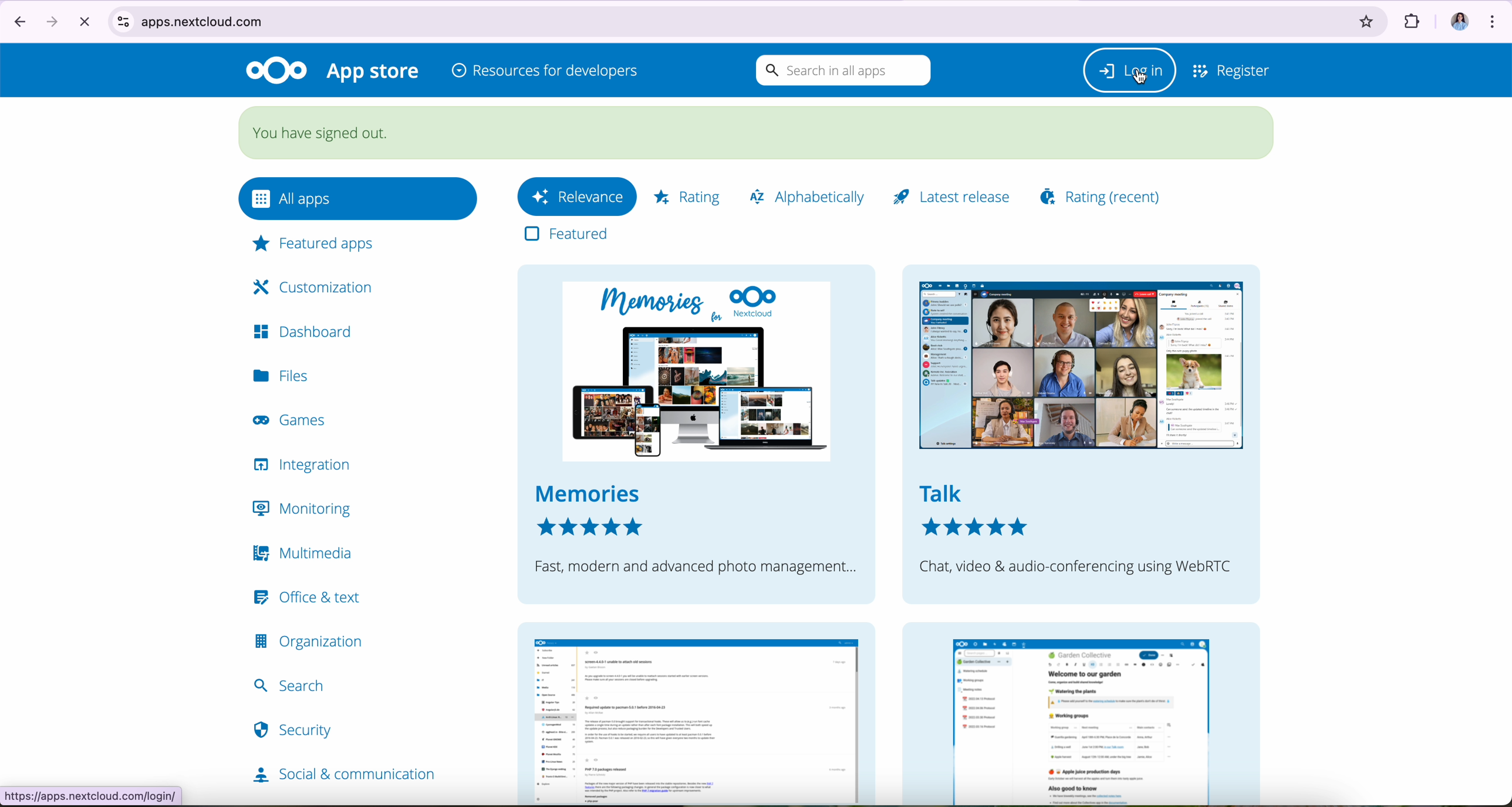  I want to click on collectives window, so click(1078, 714).